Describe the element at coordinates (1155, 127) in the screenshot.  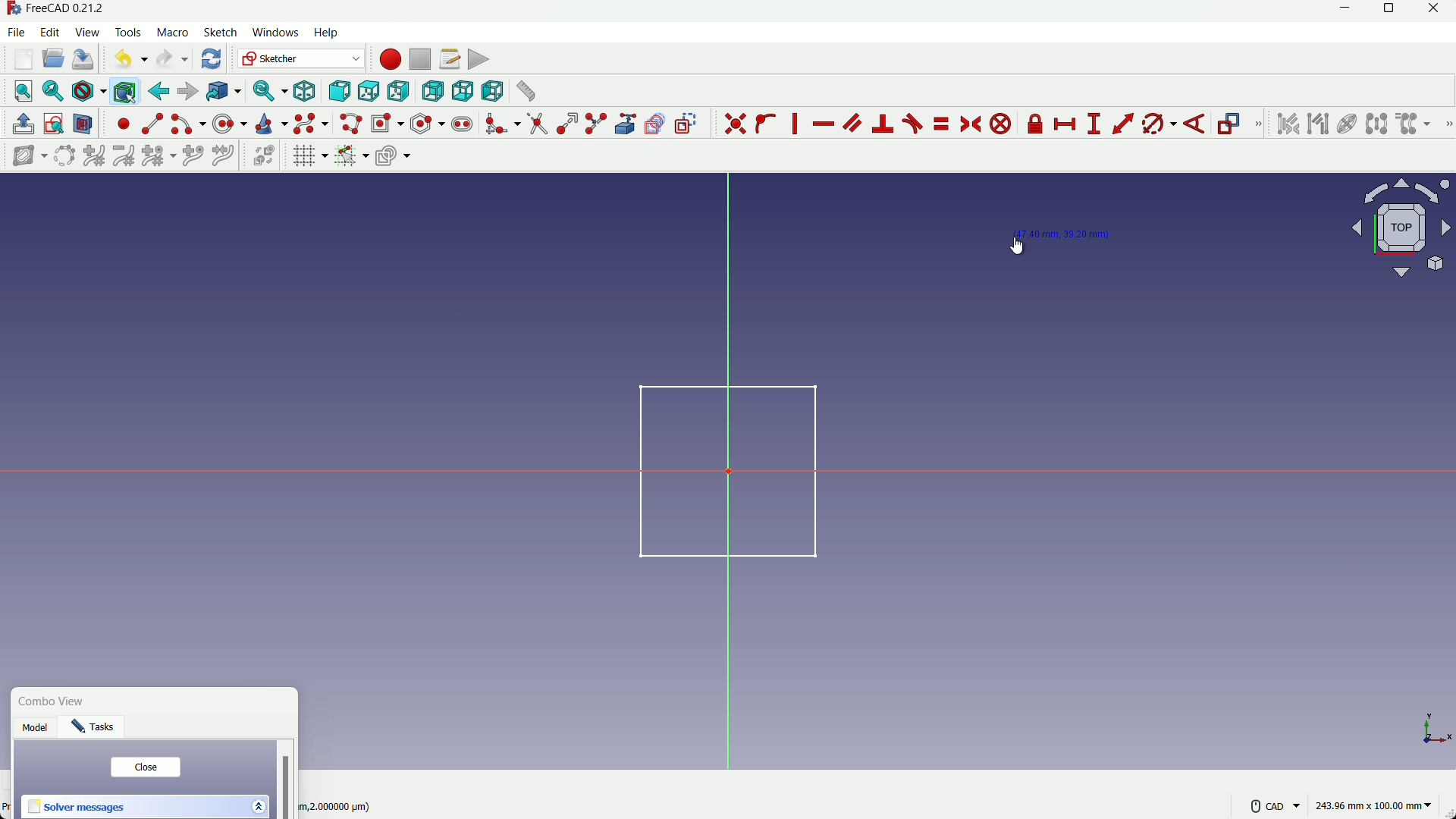
I see `constraint arc or circle` at that location.